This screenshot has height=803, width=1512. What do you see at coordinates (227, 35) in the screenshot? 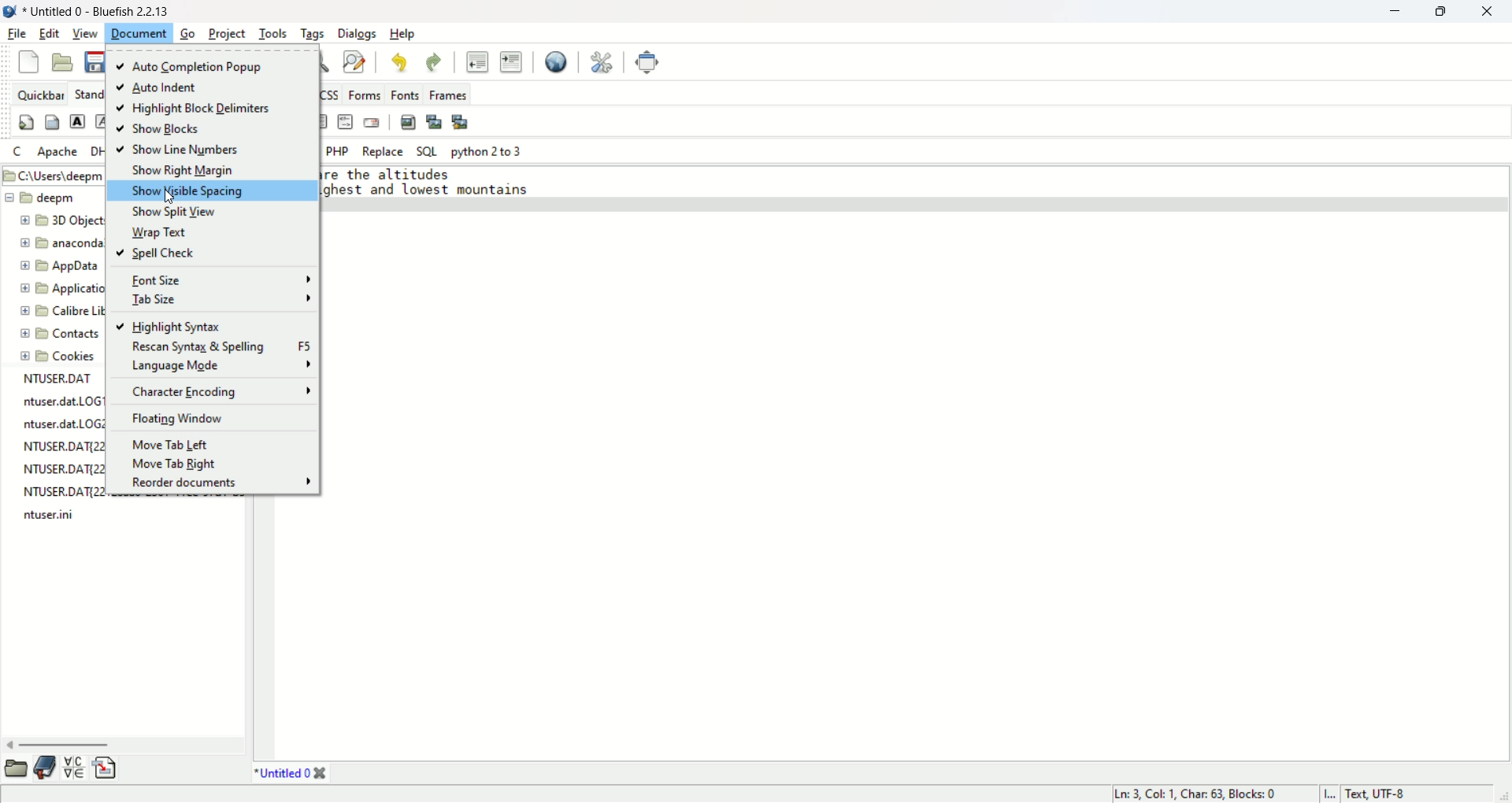
I see `project` at bounding box center [227, 35].